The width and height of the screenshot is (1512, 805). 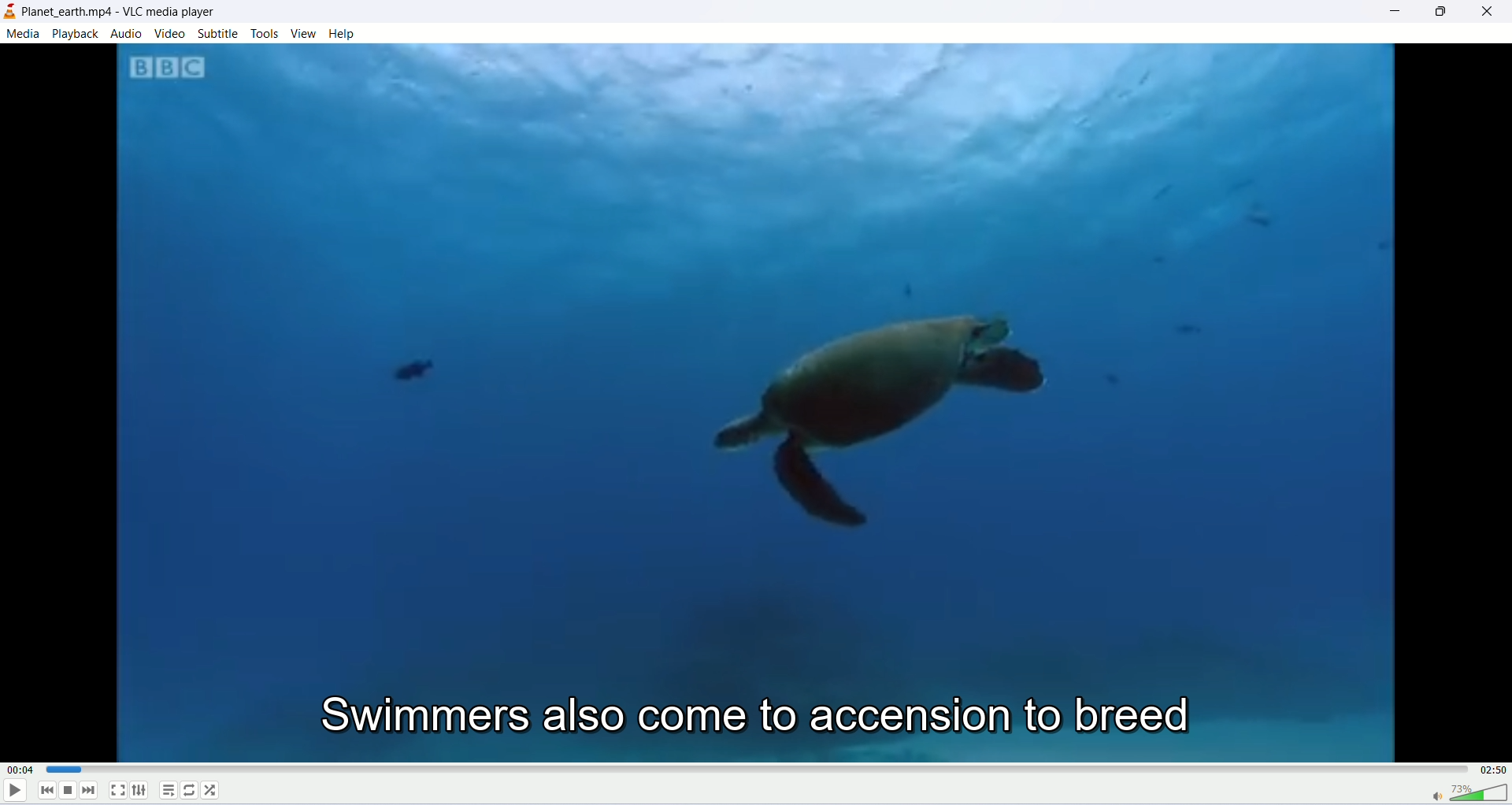 I want to click on media, so click(x=25, y=32).